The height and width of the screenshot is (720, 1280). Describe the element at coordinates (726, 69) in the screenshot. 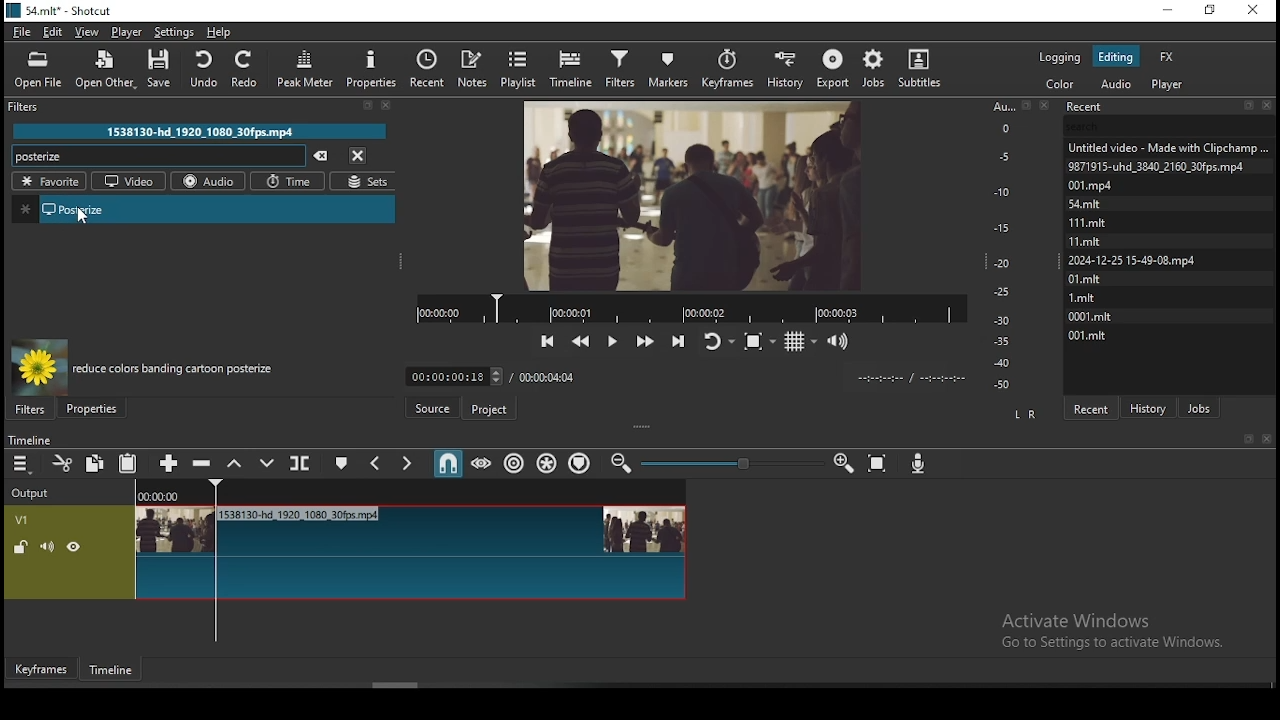

I see `keyframes` at that location.